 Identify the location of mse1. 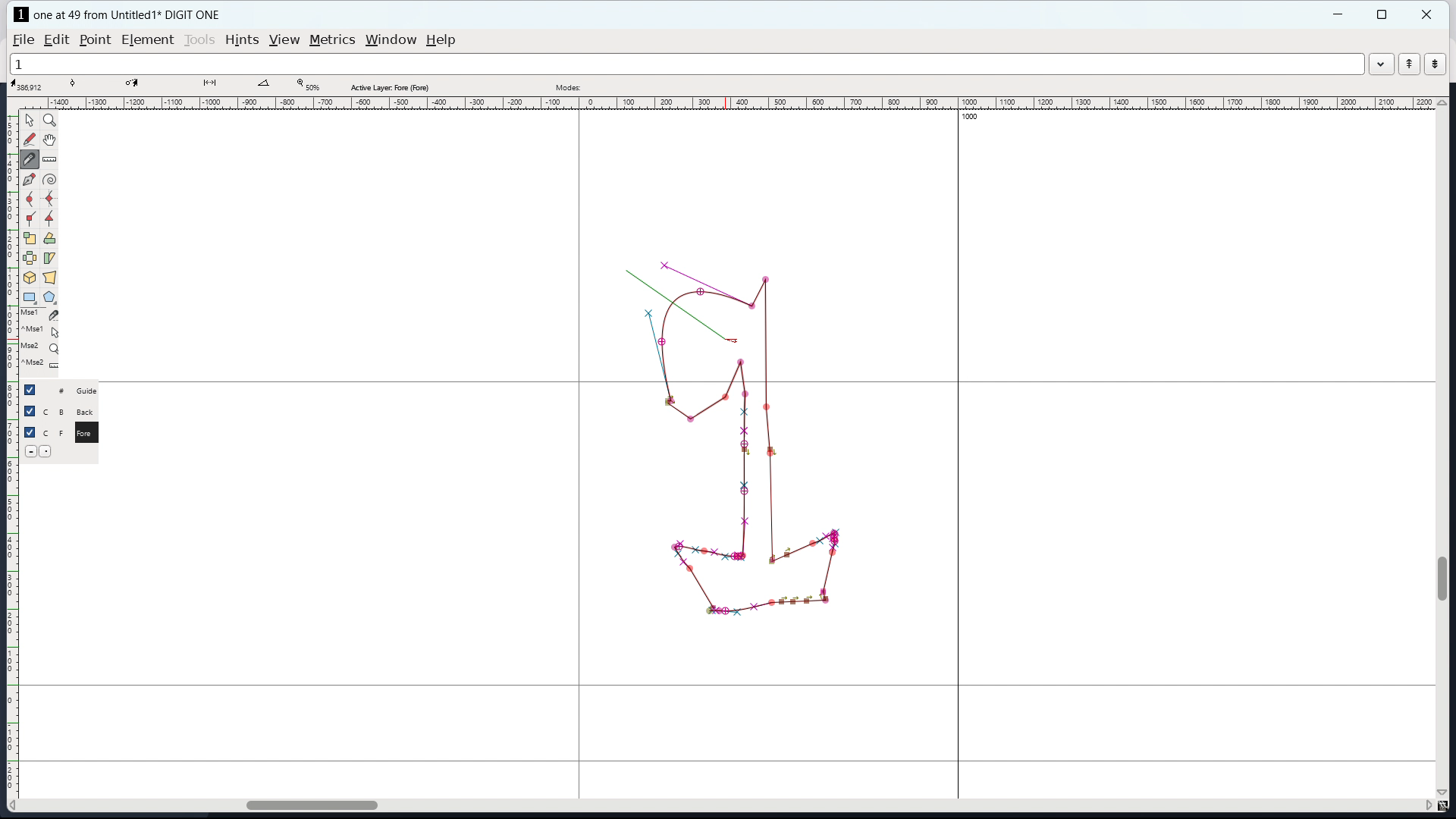
(40, 313).